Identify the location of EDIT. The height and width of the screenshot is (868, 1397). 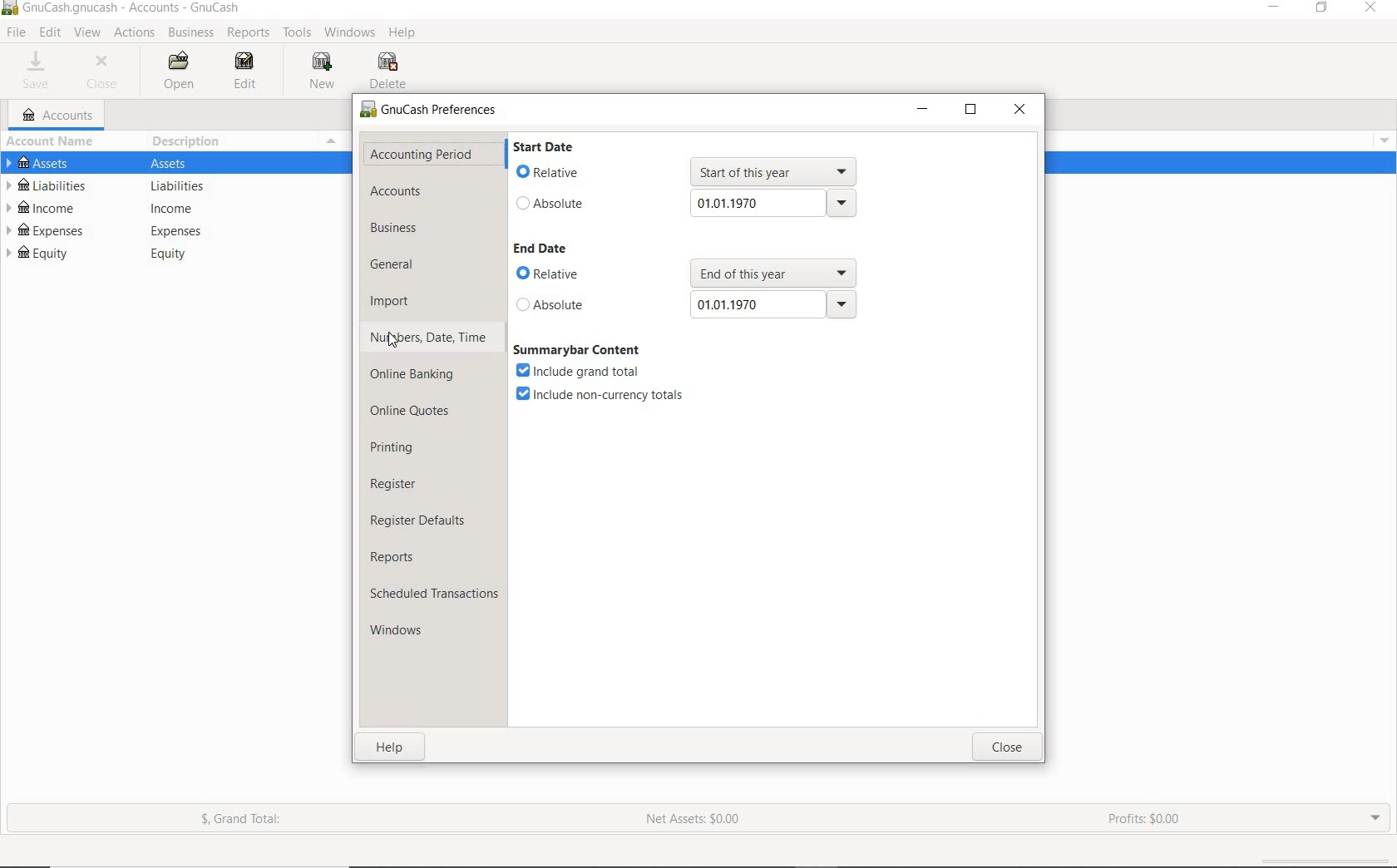
(49, 33).